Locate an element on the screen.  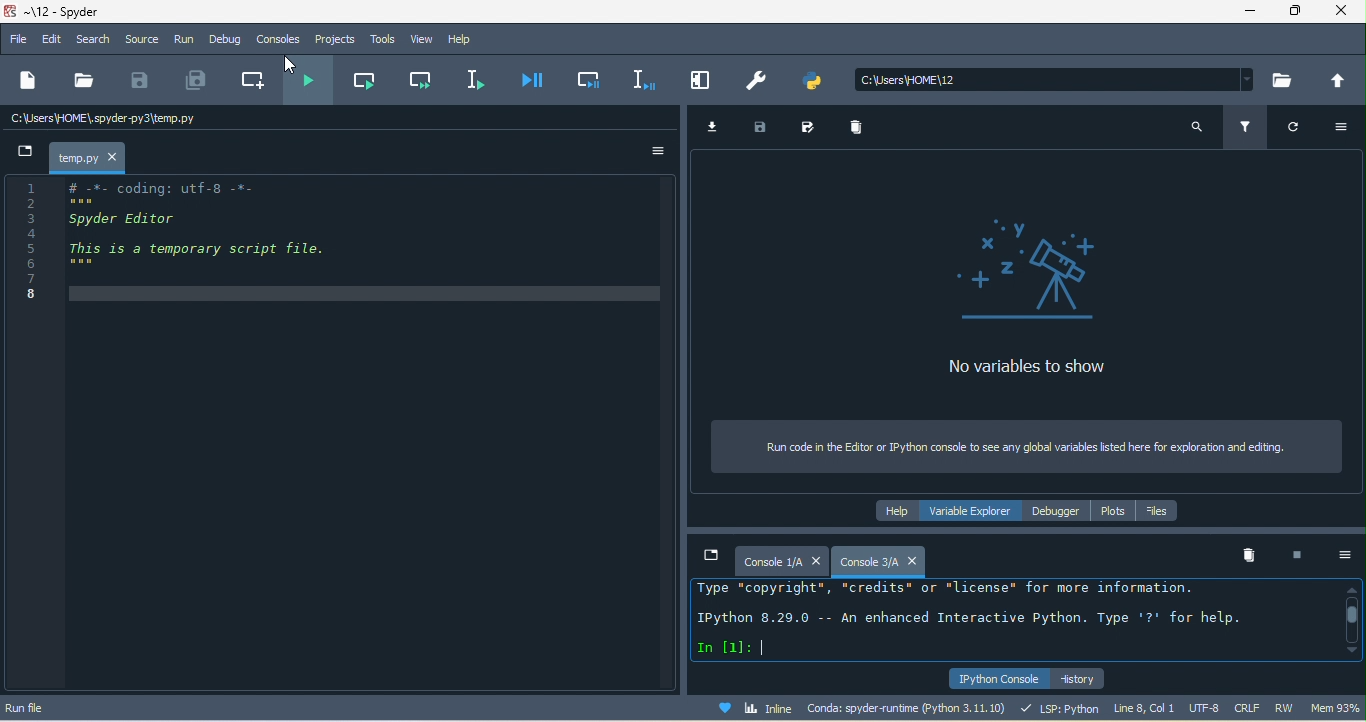
temp.py is located at coordinates (88, 158).